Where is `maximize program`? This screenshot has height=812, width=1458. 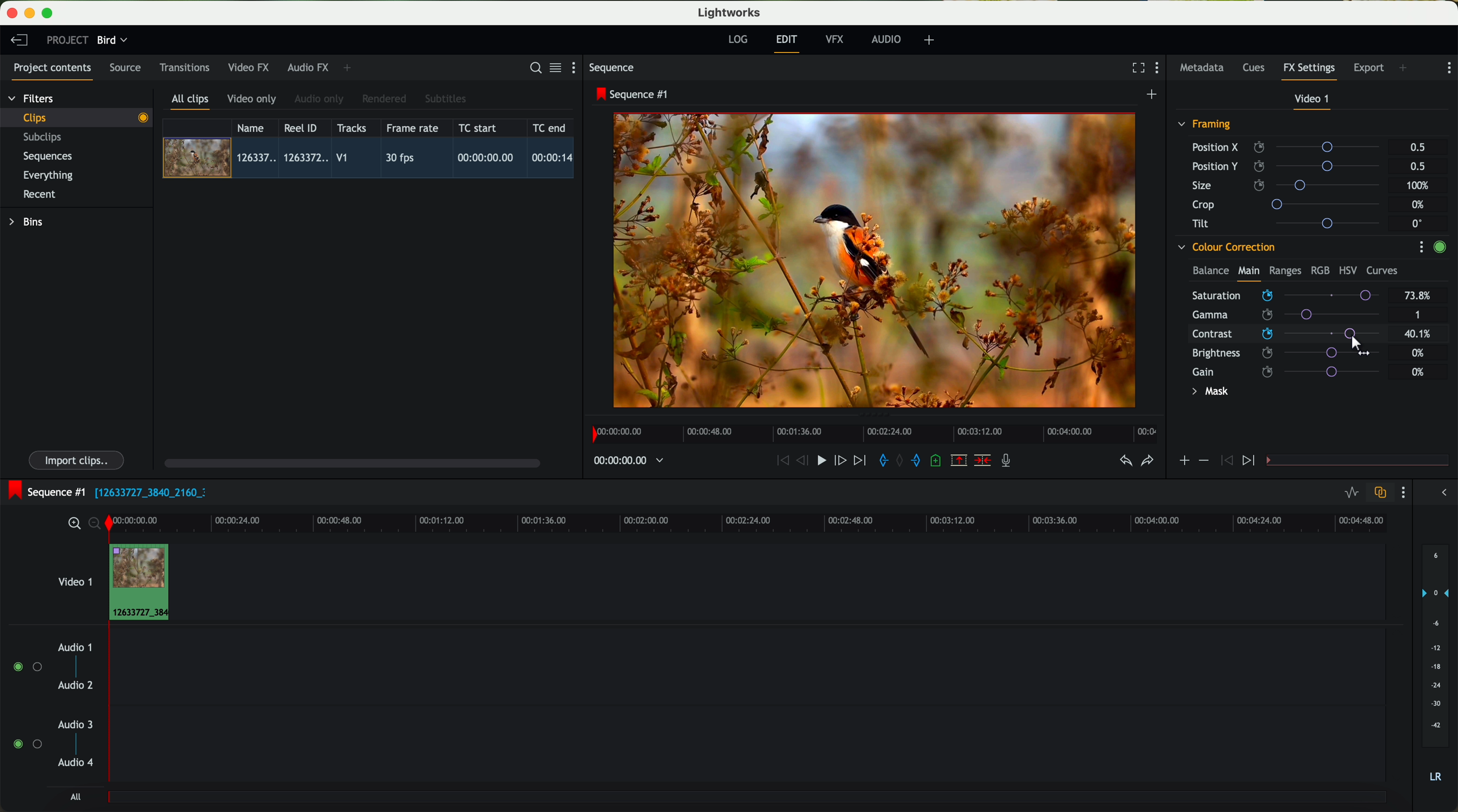
maximize program is located at coordinates (49, 14).